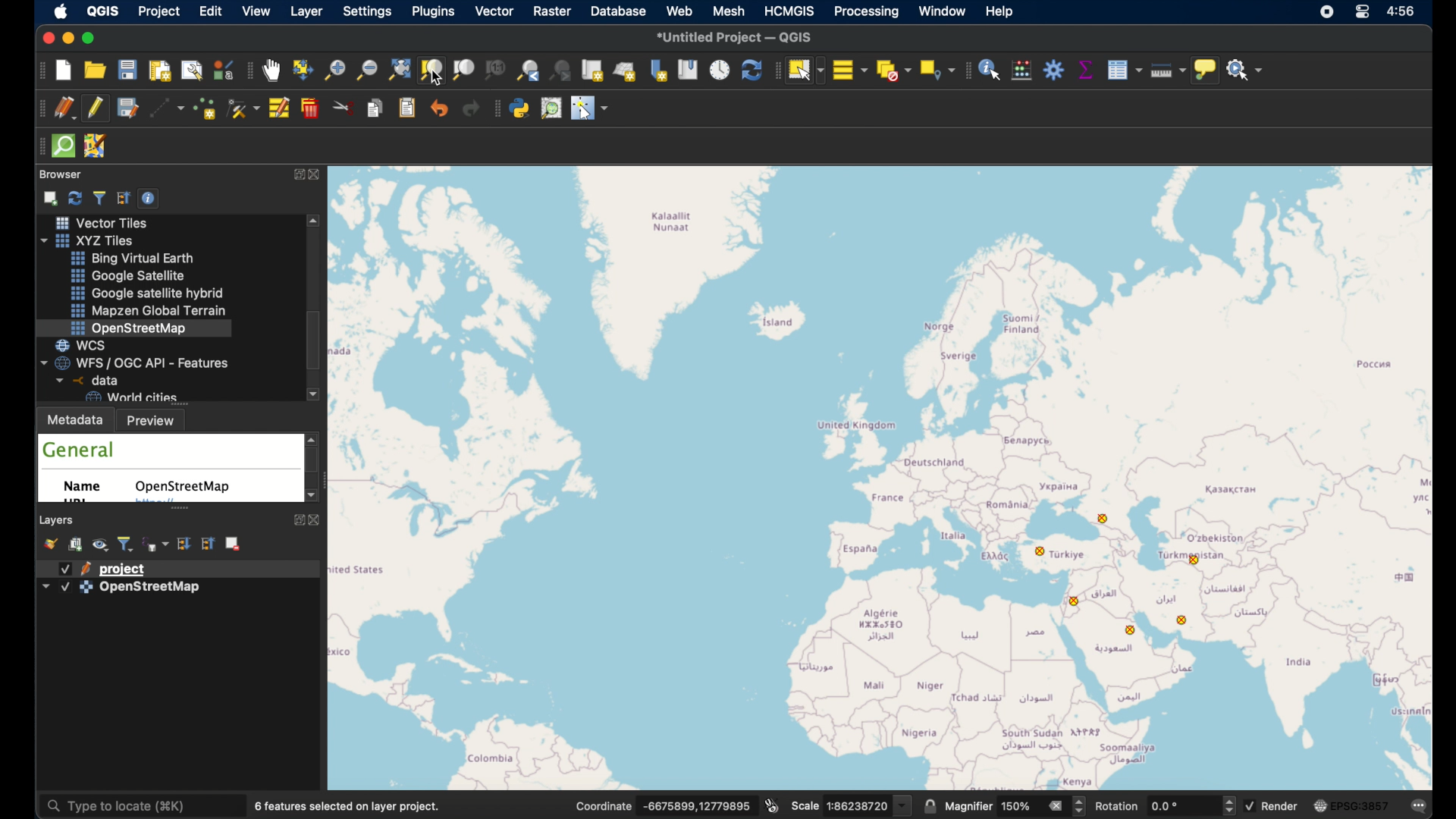 Image resolution: width=1456 pixels, height=819 pixels. Describe the element at coordinates (494, 12) in the screenshot. I see `vector` at that location.